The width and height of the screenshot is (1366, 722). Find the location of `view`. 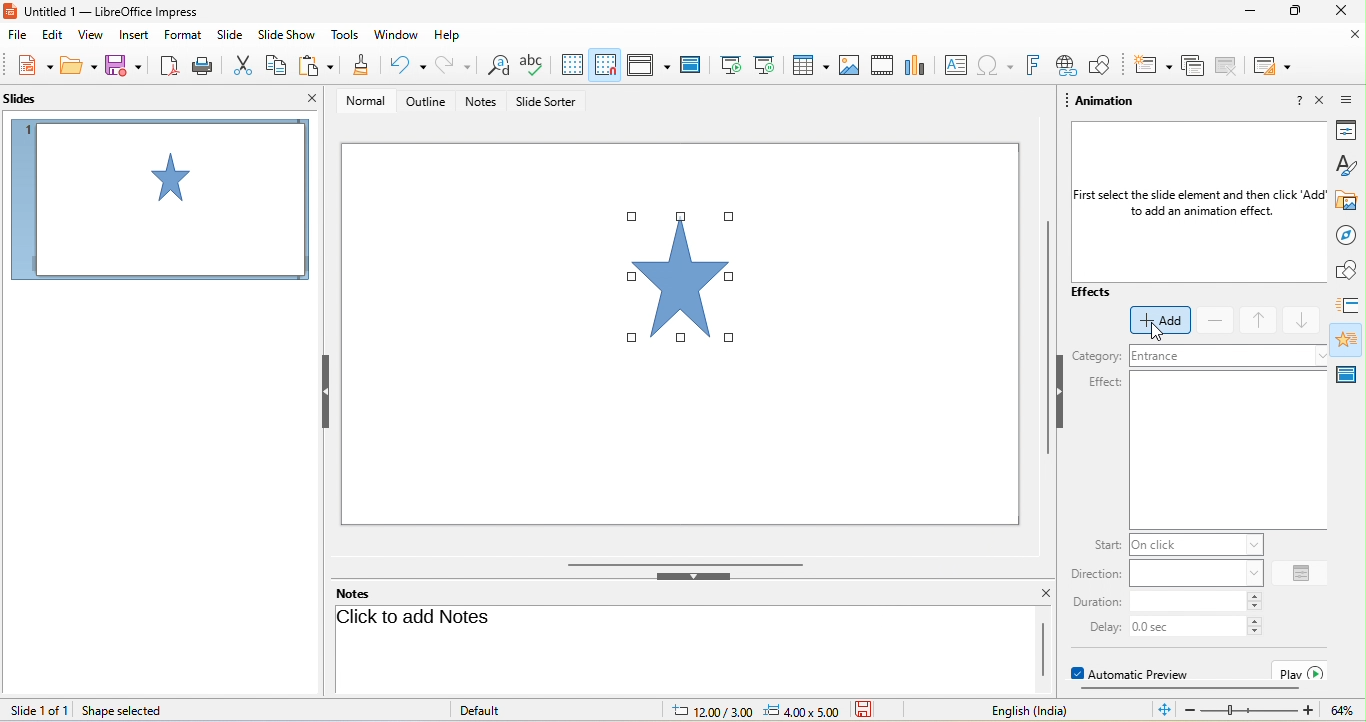

view is located at coordinates (88, 36).